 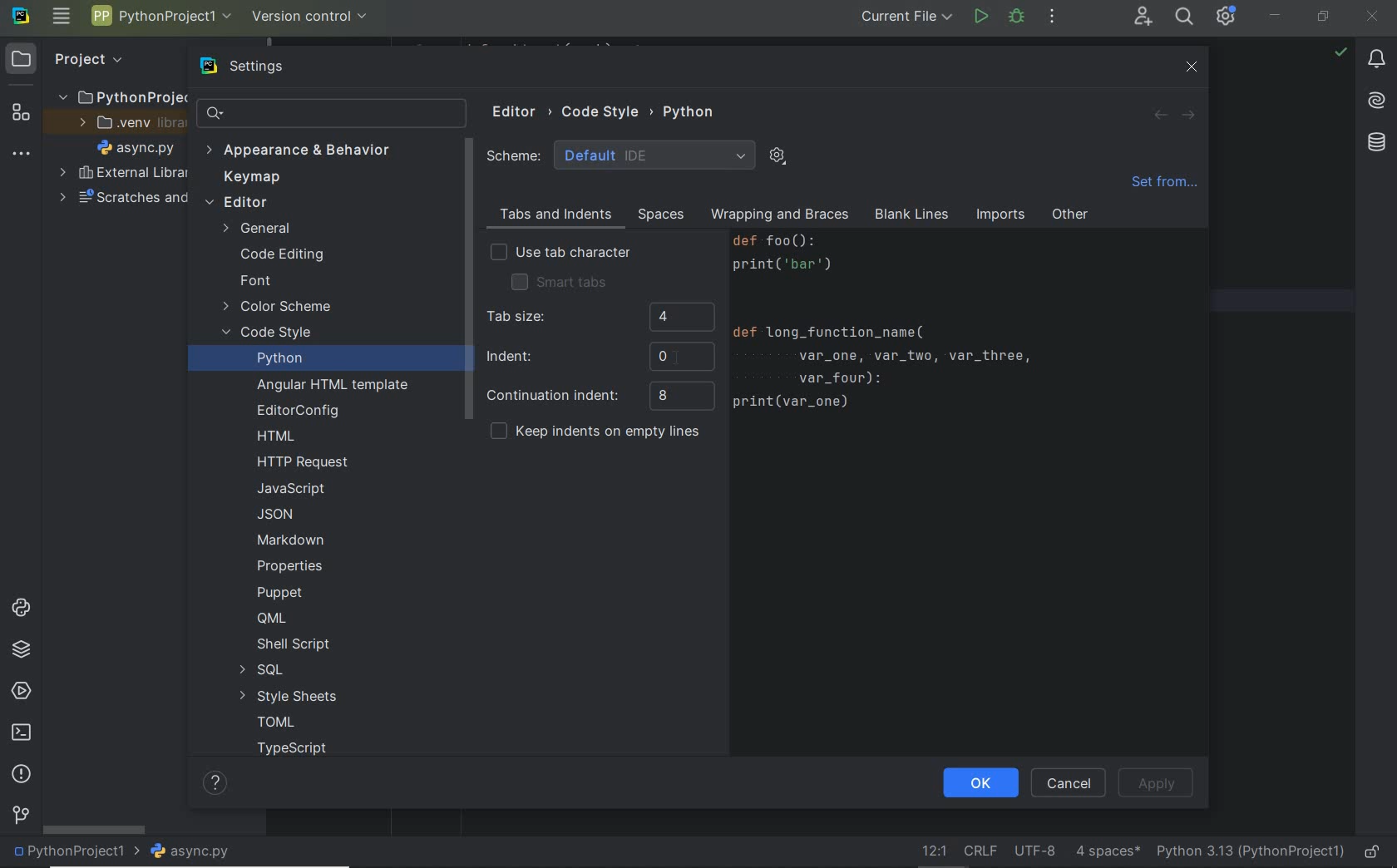 What do you see at coordinates (595, 433) in the screenshot?
I see `keep indents on empty lines` at bounding box center [595, 433].